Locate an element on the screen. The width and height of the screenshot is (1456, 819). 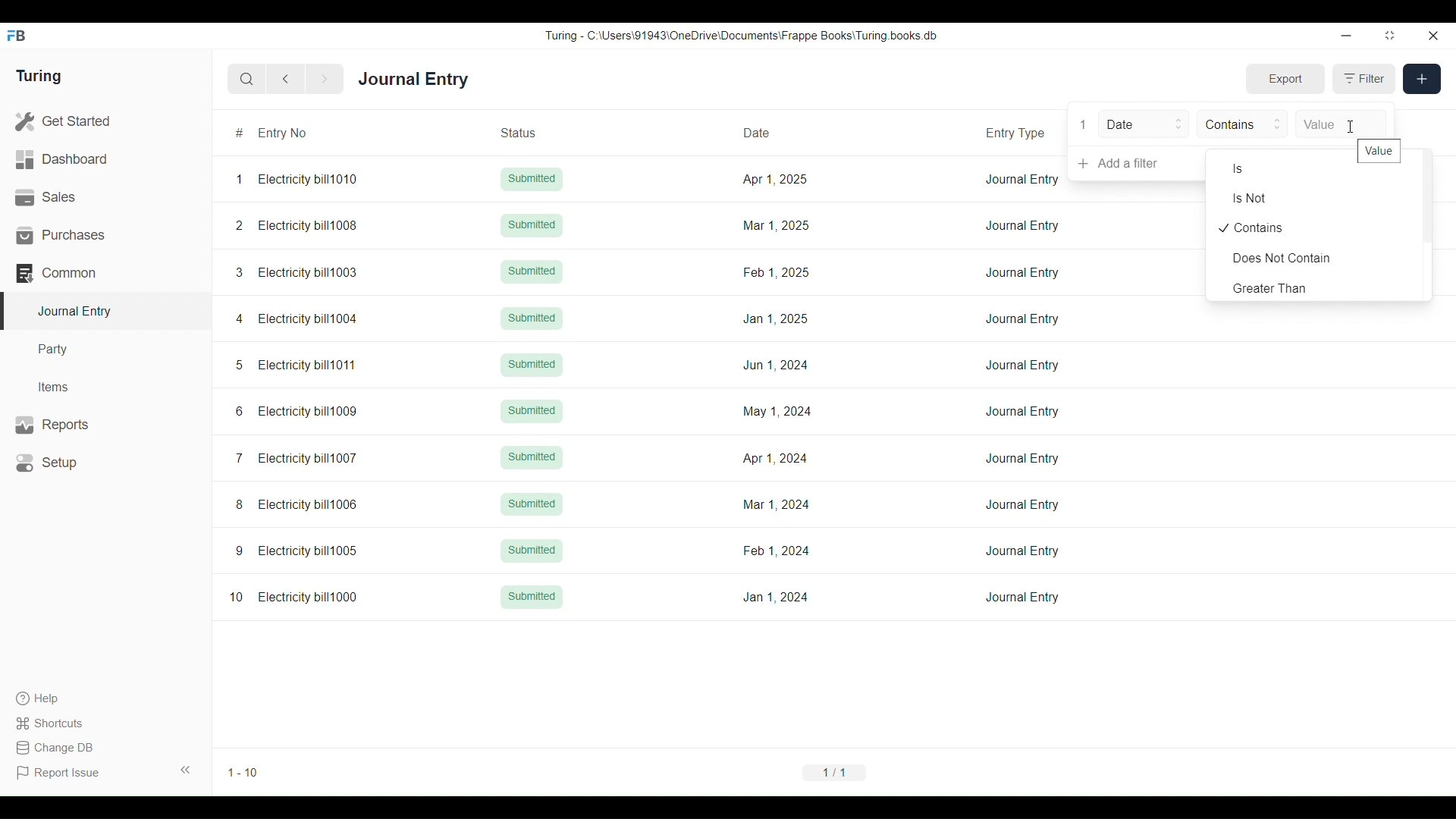
Journal Entry is located at coordinates (1022, 365).